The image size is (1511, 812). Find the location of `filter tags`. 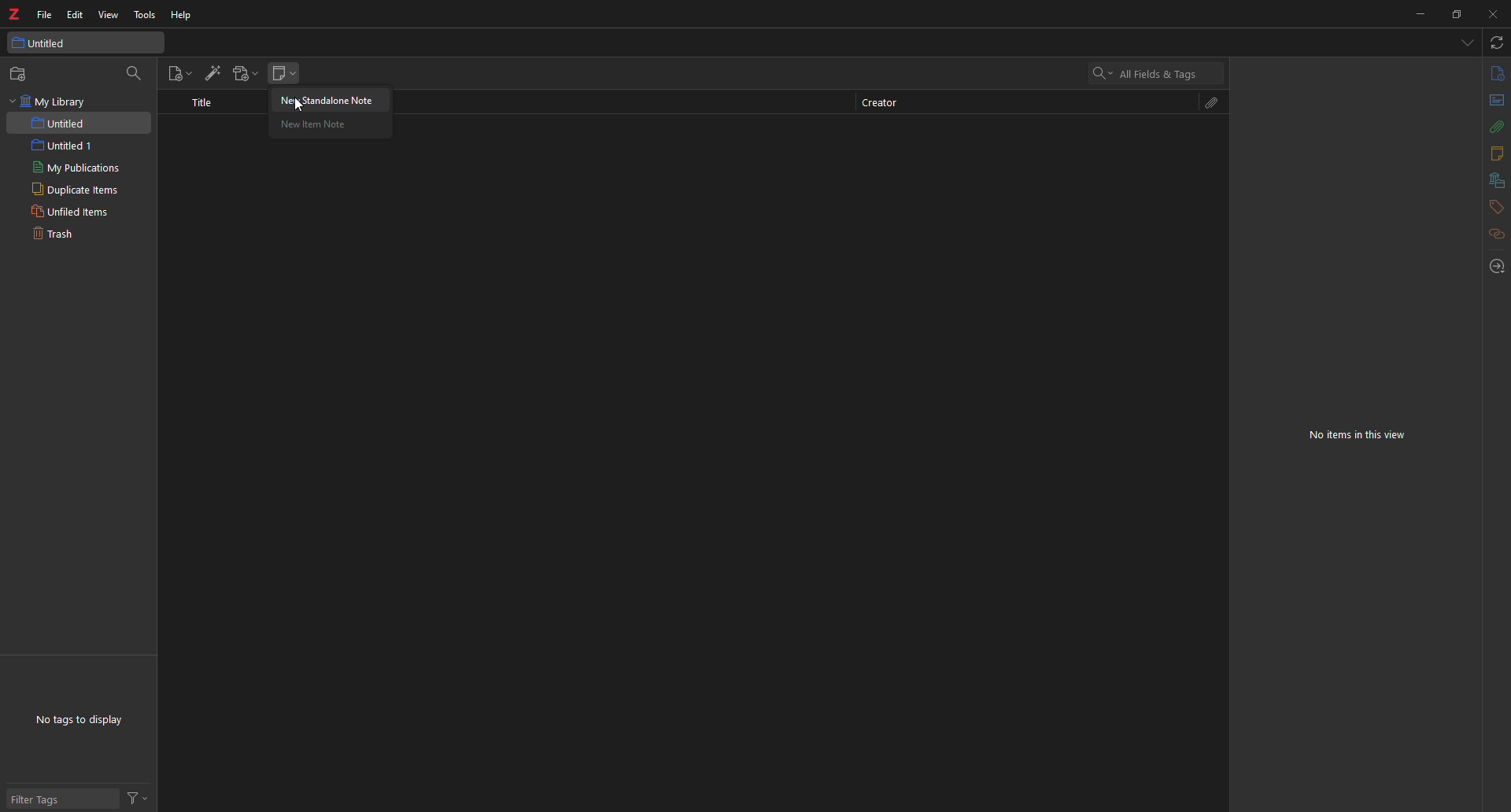

filter tags is located at coordinates (41, 797).